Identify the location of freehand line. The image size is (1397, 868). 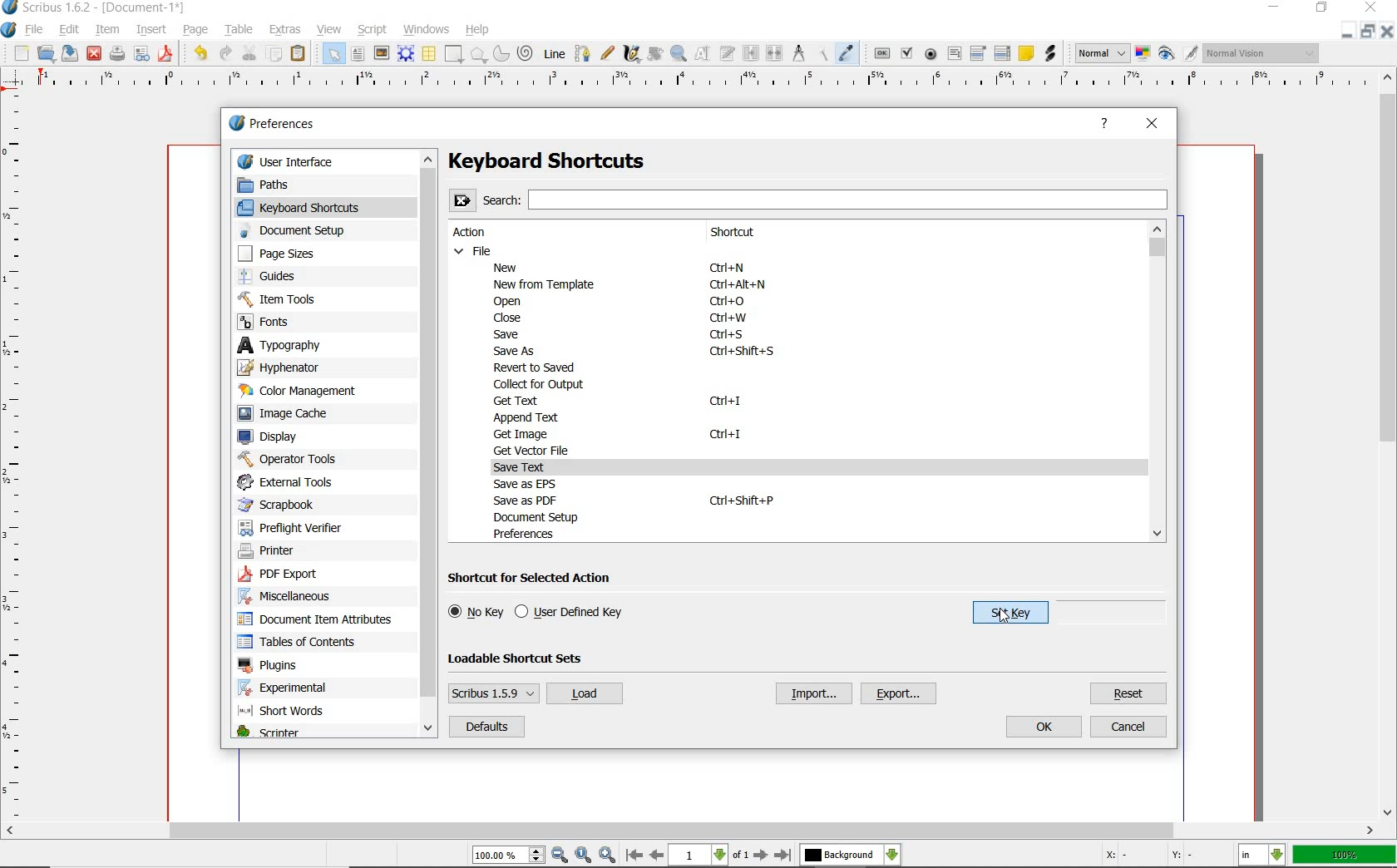
(608, 53).